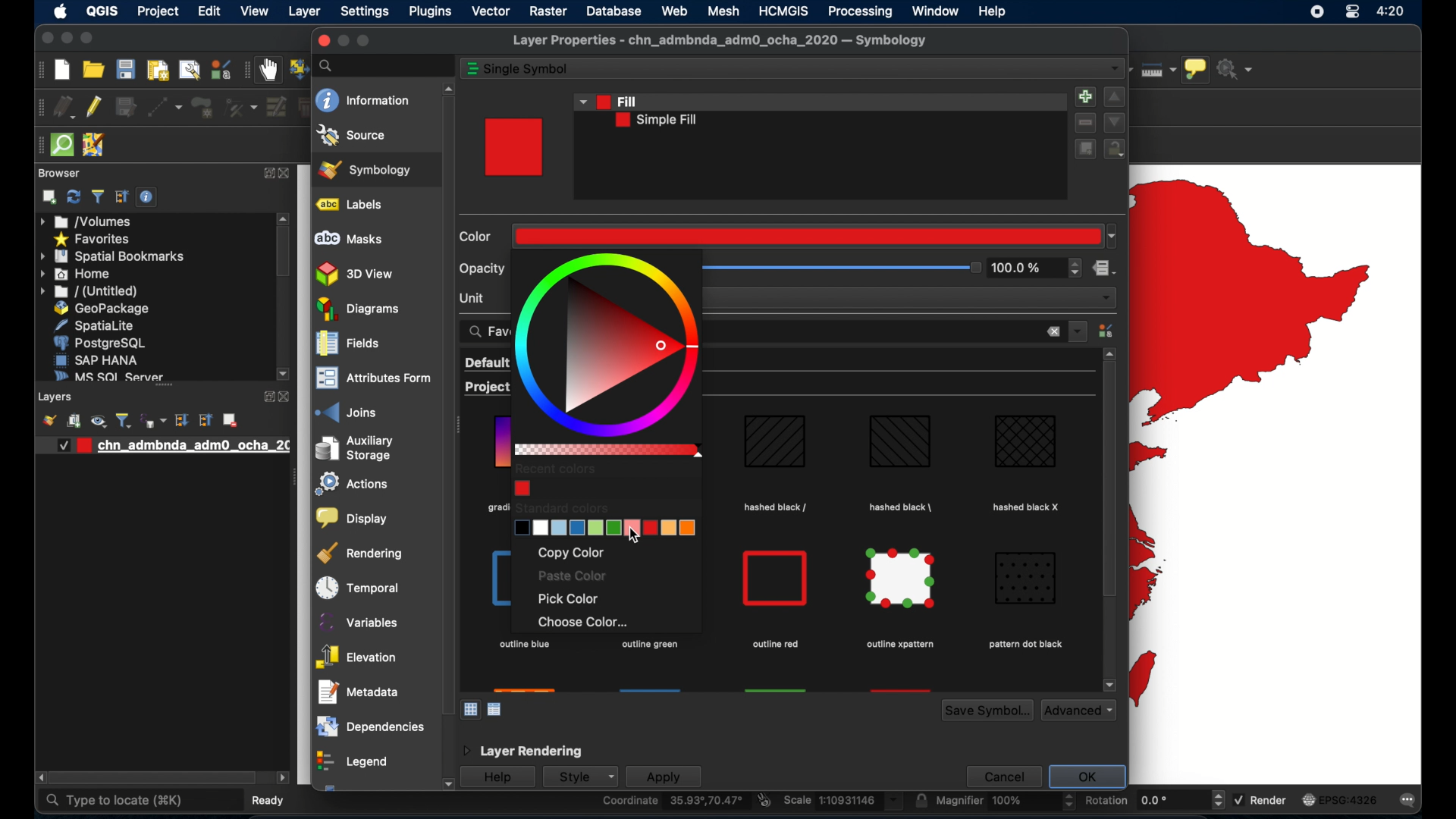  What do you see at coordinates (284, 375) in the screenshot?
I see `scroll down arrow` at bounding box center [284, 375].